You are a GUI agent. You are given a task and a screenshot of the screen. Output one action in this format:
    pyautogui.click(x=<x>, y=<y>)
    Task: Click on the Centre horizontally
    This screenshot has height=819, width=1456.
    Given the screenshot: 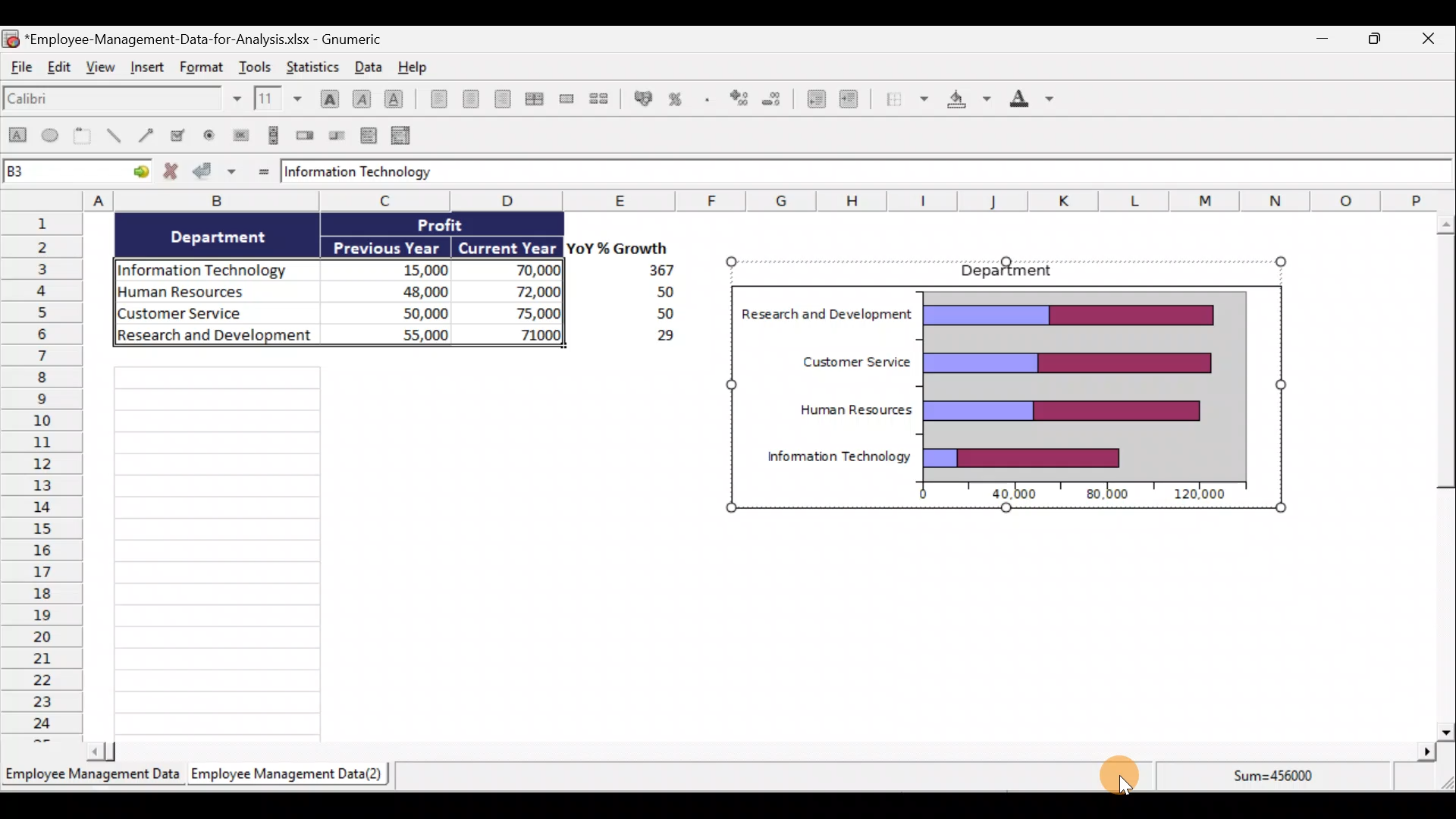 What is the action you would take?
    pyautogui.click(x=467, y=99)
    